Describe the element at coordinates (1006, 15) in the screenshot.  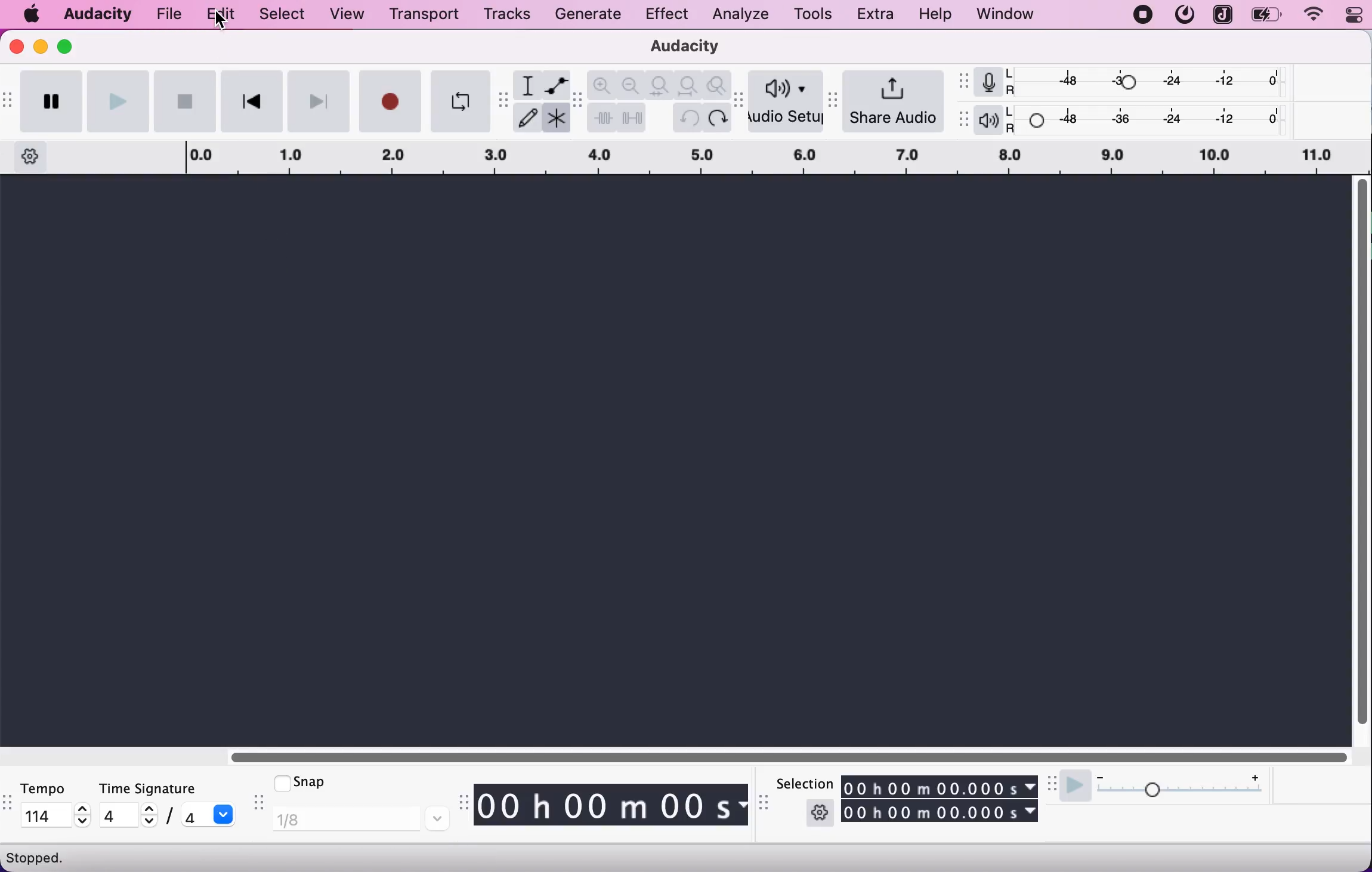
I see `window` at that location.